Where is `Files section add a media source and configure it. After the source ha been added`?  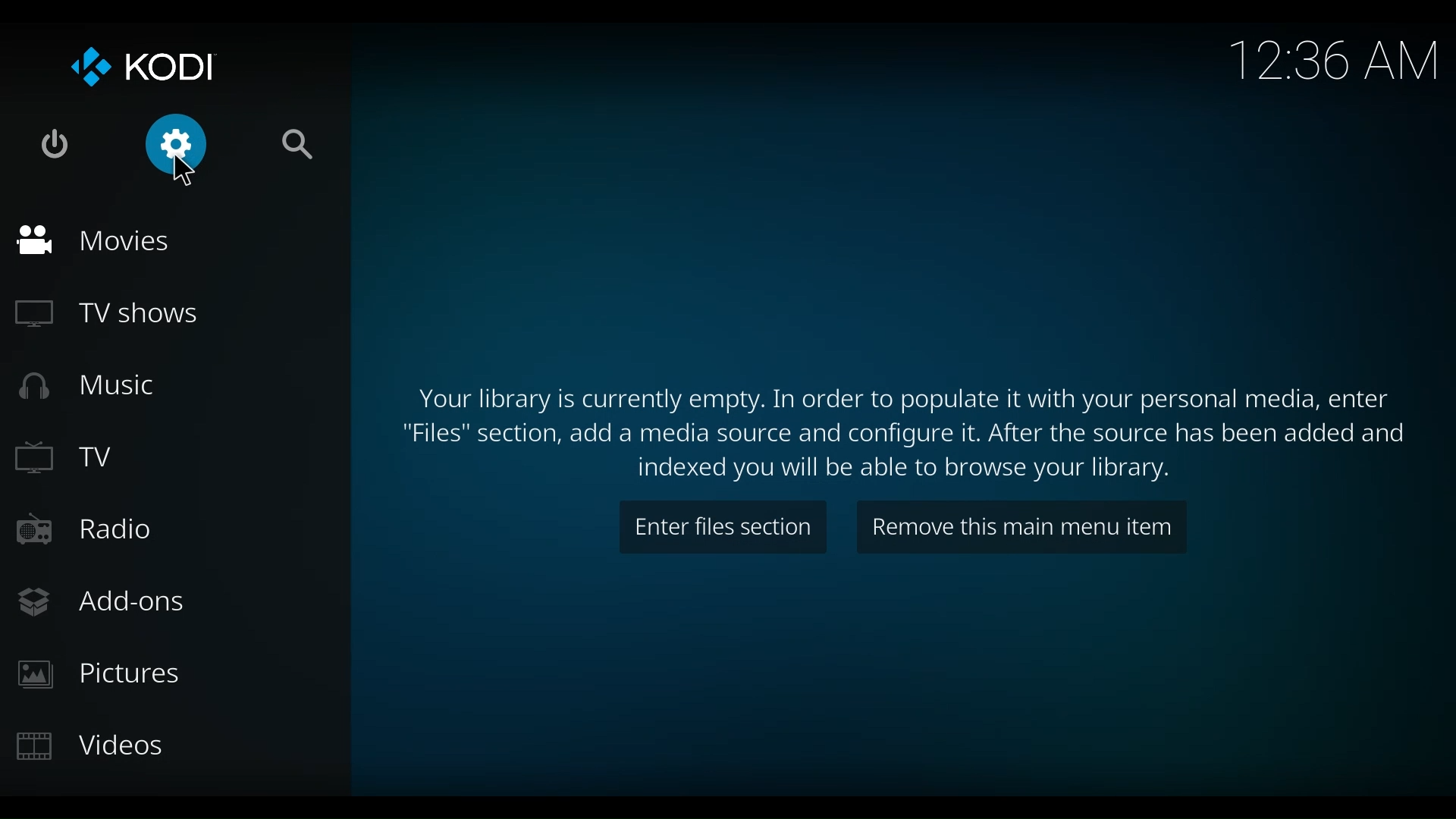
Files section add a media source and configure it. After the source ha been added is located at coordinates (909, 438).